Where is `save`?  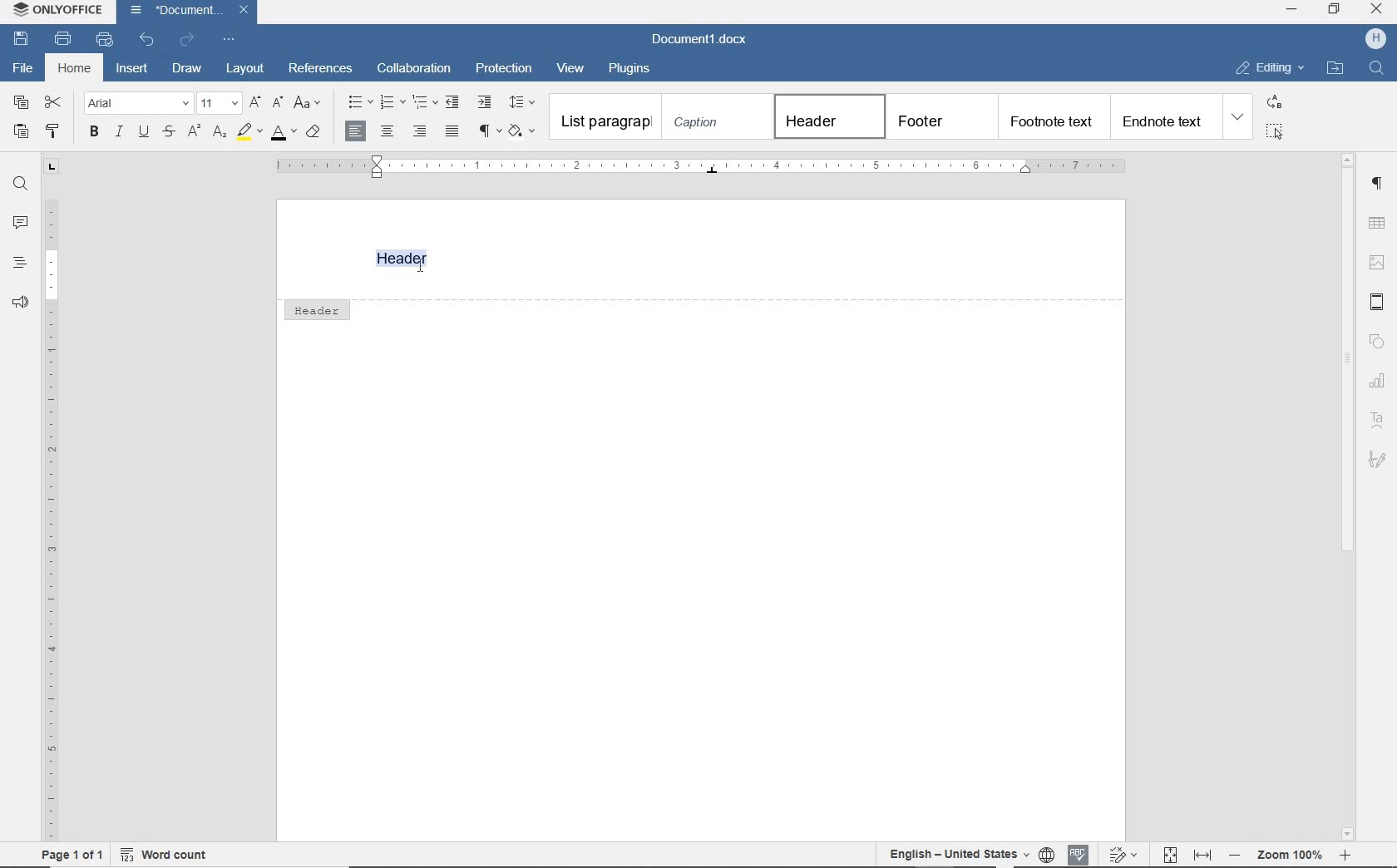
save is located at coordinates (22, 38).